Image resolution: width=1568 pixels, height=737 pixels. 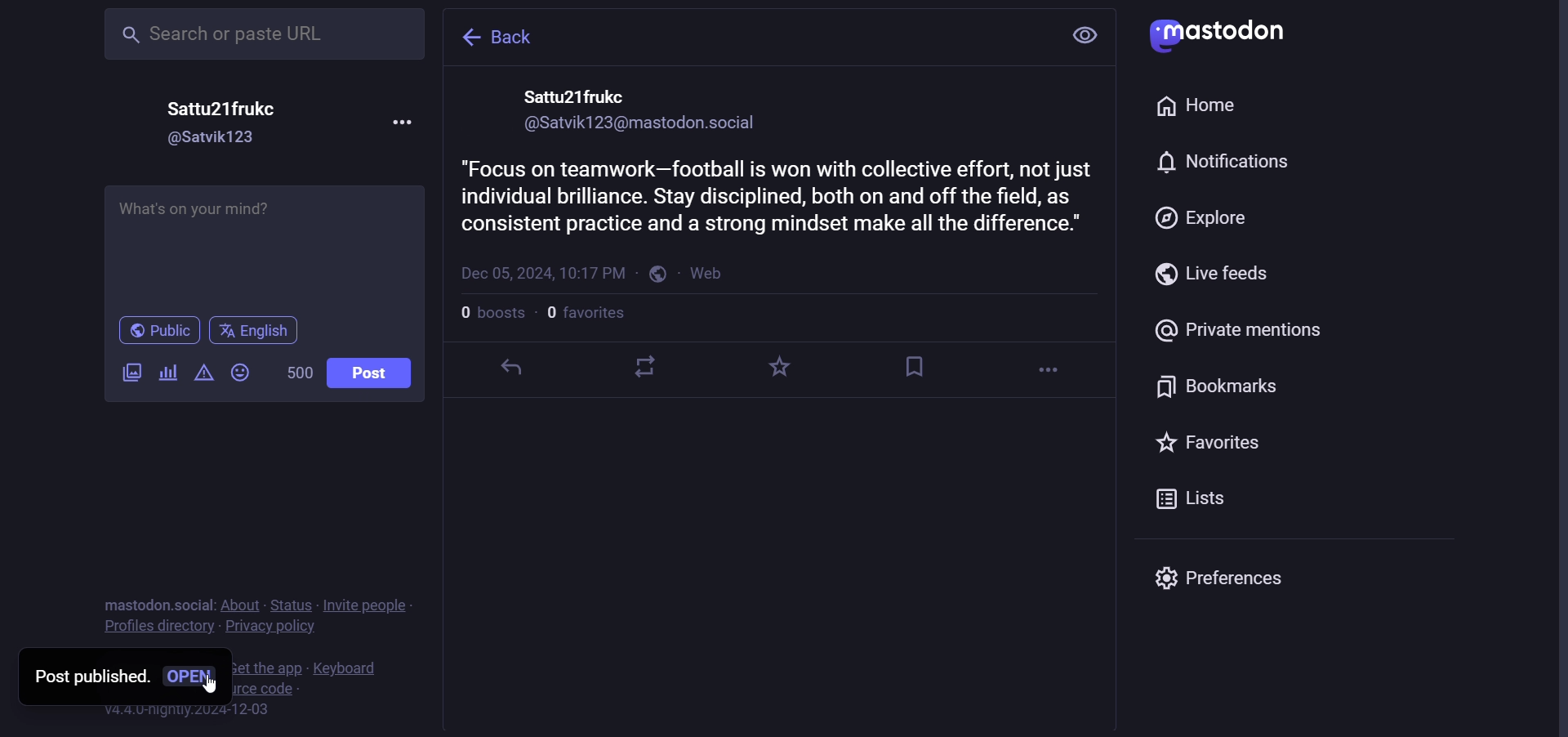 What do you see at coordinates (240, 374) in the screenshot?
I see `emoji` at bounding box center [240, 374].